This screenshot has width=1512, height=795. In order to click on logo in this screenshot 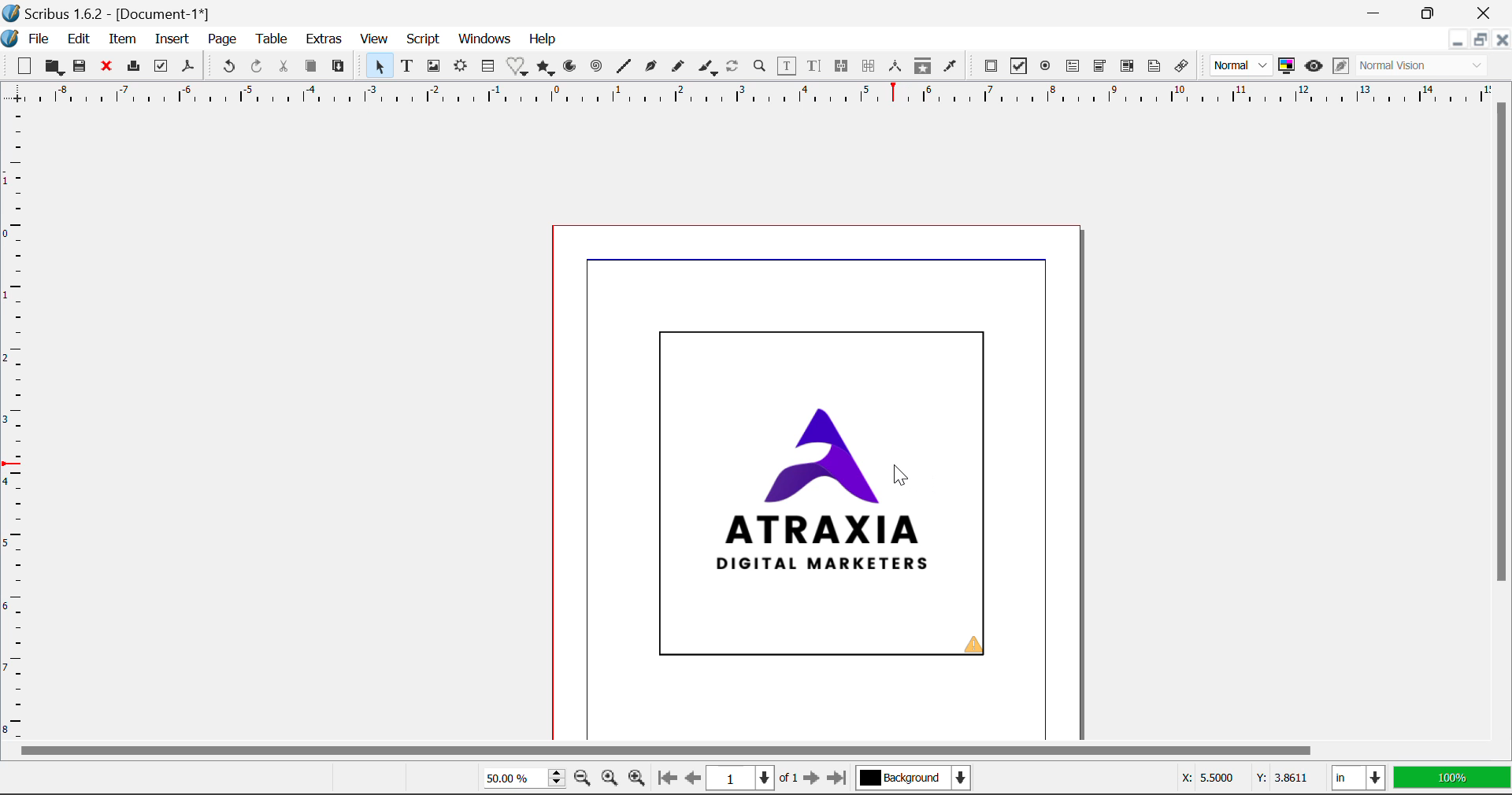, I will do `click(11, 43)`.